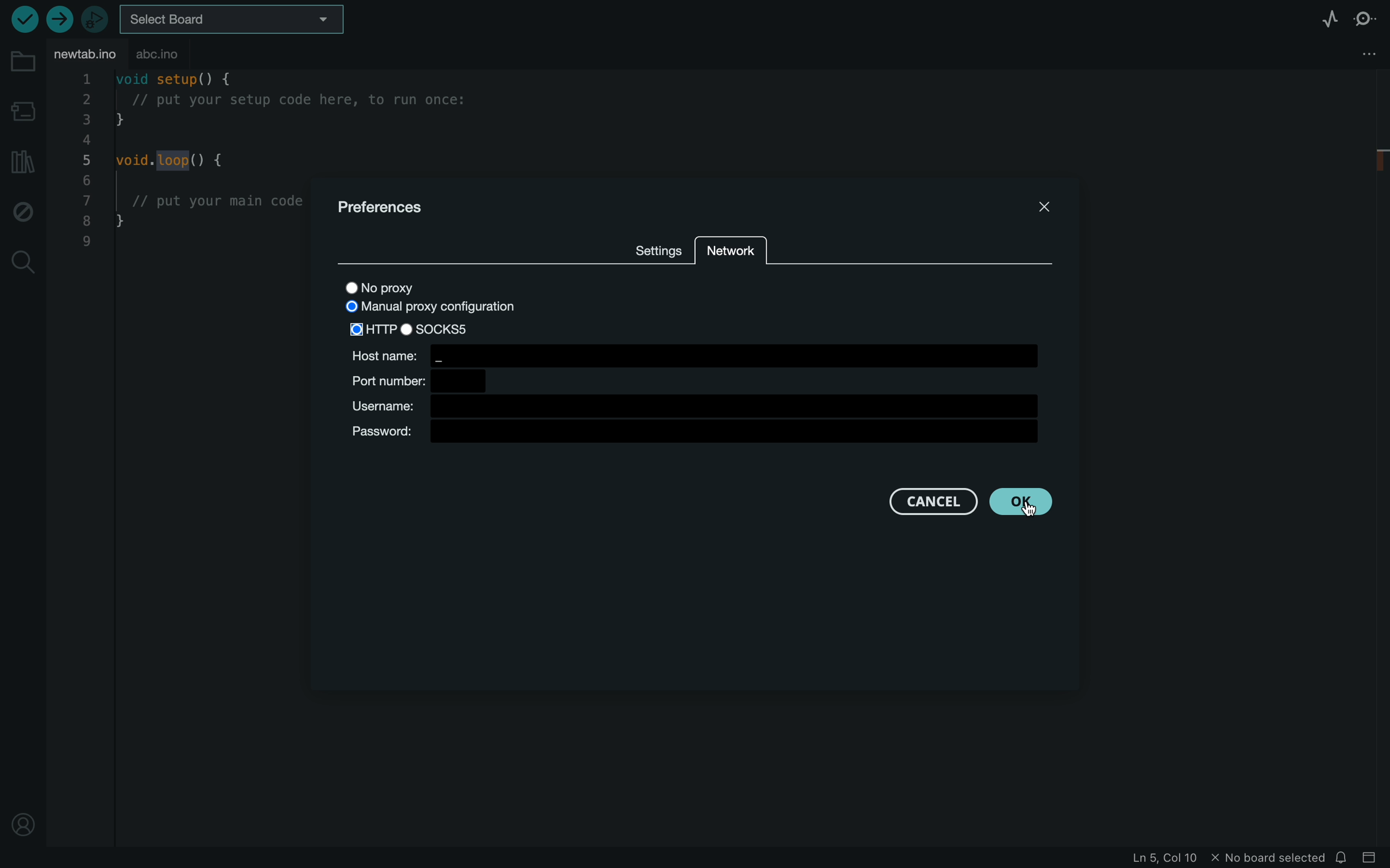  What do you see at coordinates (184, 55) in the screenshot?
I see `abc` at bounding box center [184, 55].